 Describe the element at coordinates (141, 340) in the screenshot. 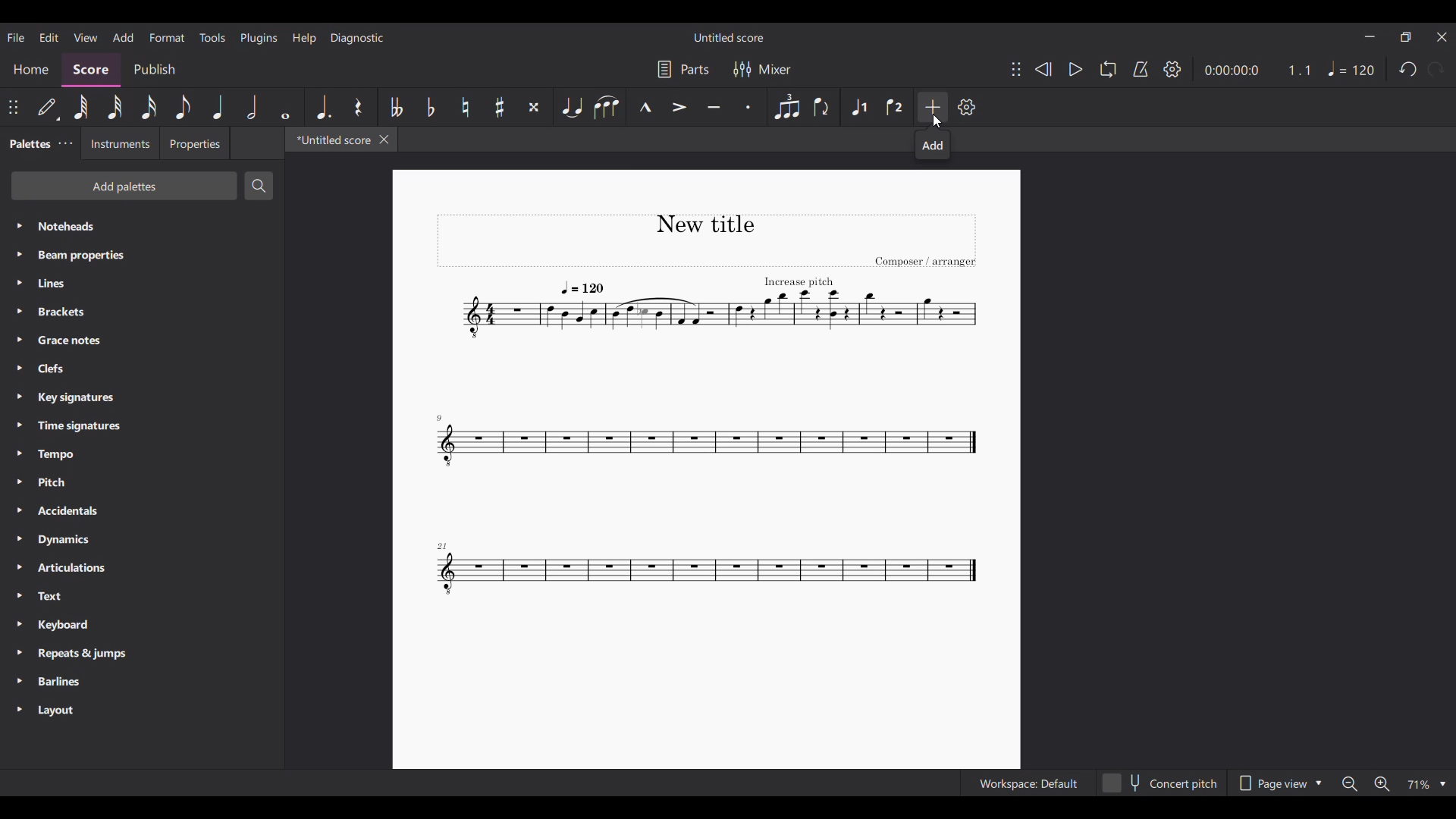

I see `Grace notes` at that location.